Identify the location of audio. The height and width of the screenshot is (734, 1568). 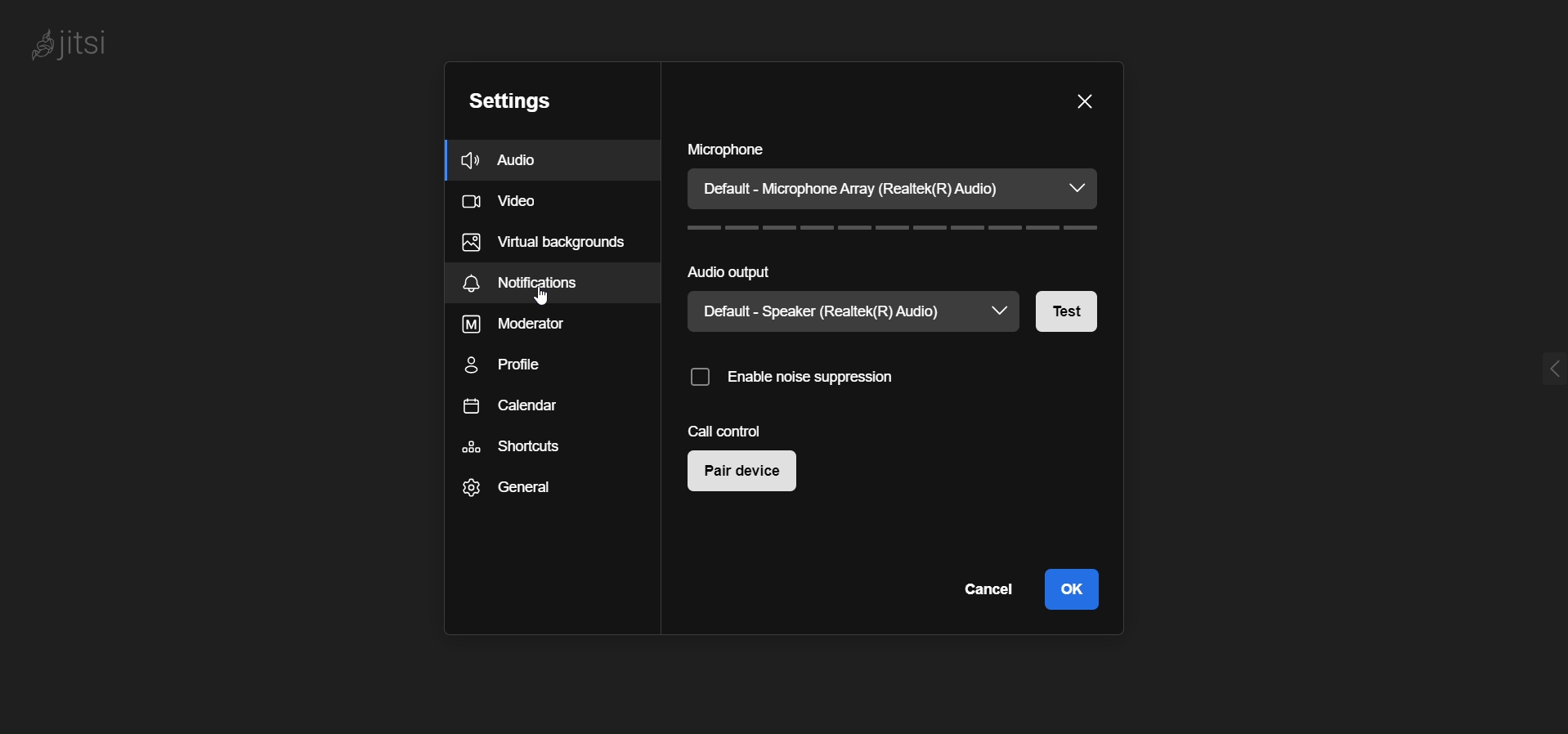
(518, 157).